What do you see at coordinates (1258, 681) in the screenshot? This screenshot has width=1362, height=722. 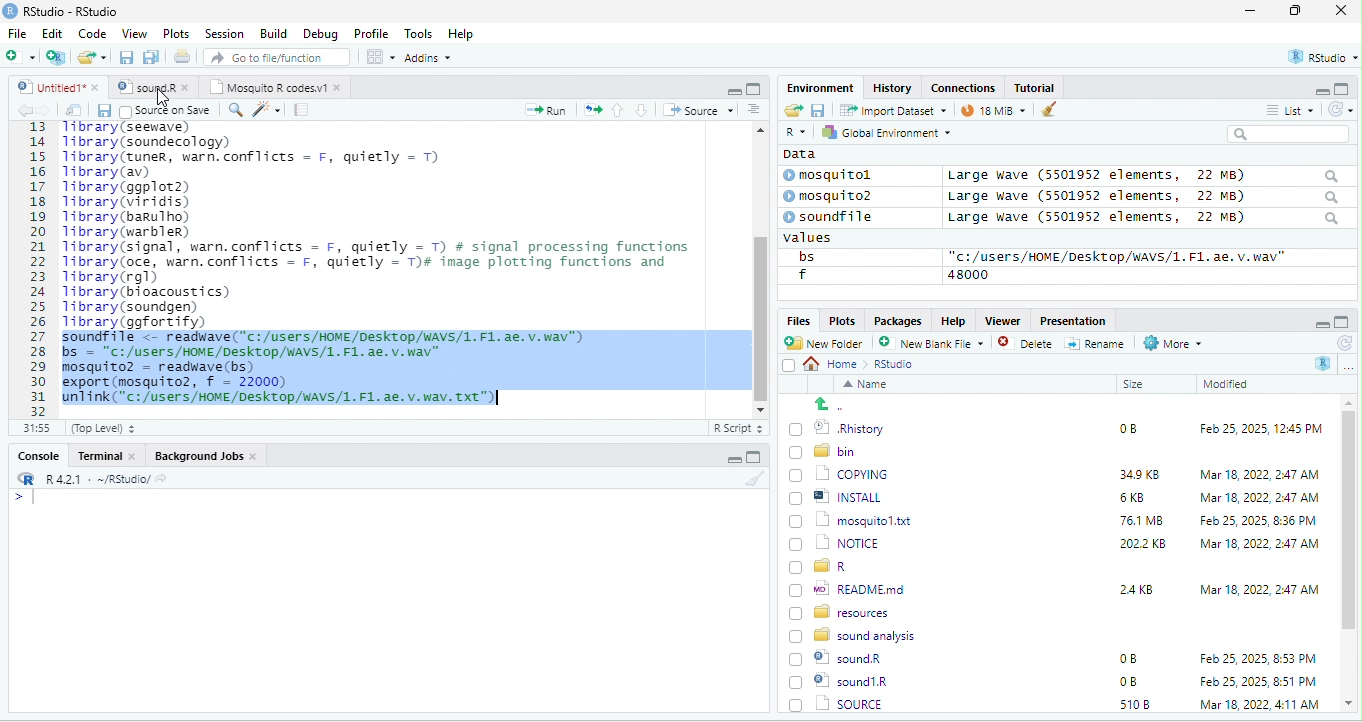 I see `Mar 18, 2022, 4:11 AM` at bounding box center [1258, 681].